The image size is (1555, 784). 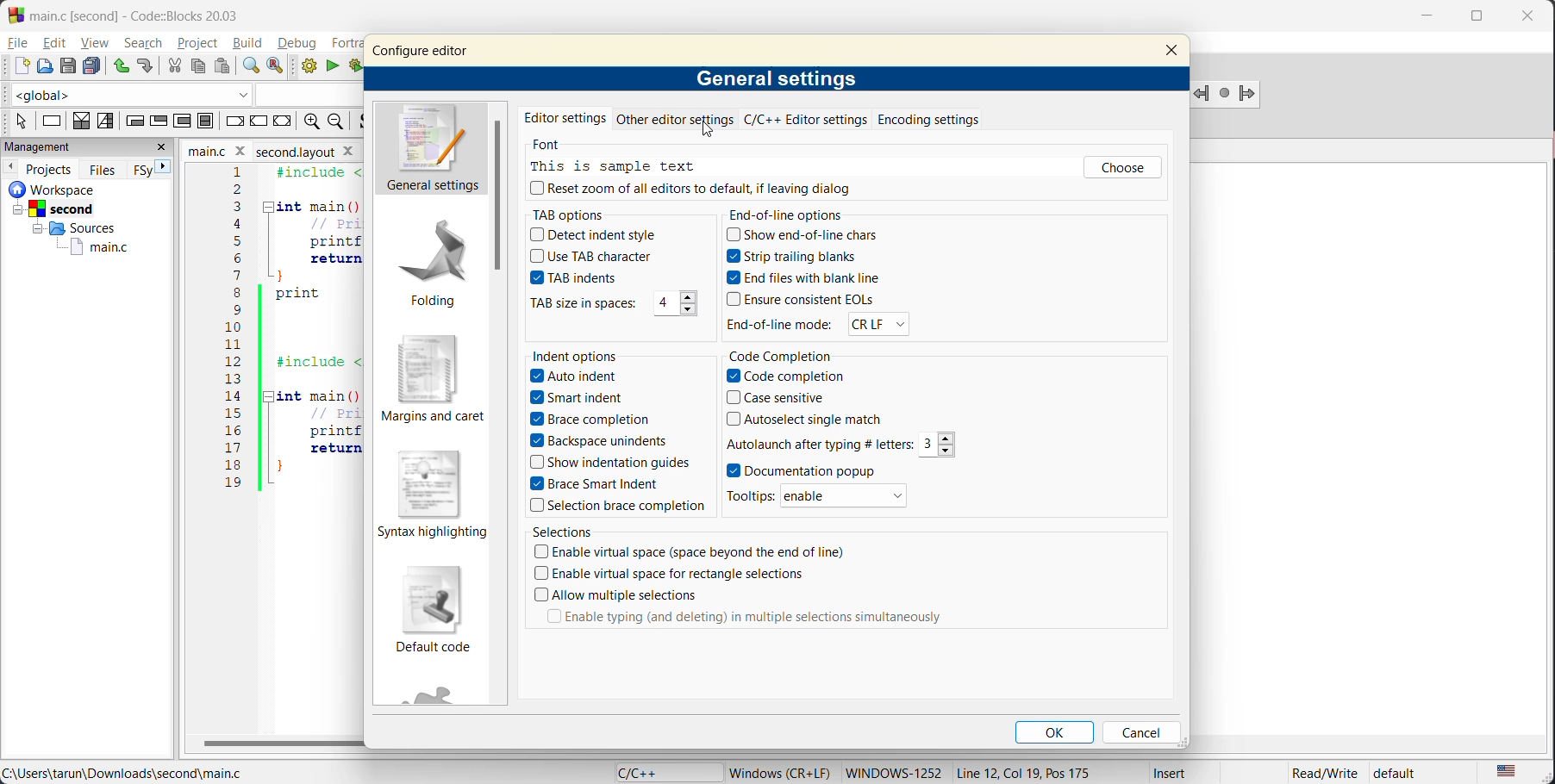 What do you see at coordinates (146, 42) in the screenshot?
I see `search` at bounding box center [146, 42].